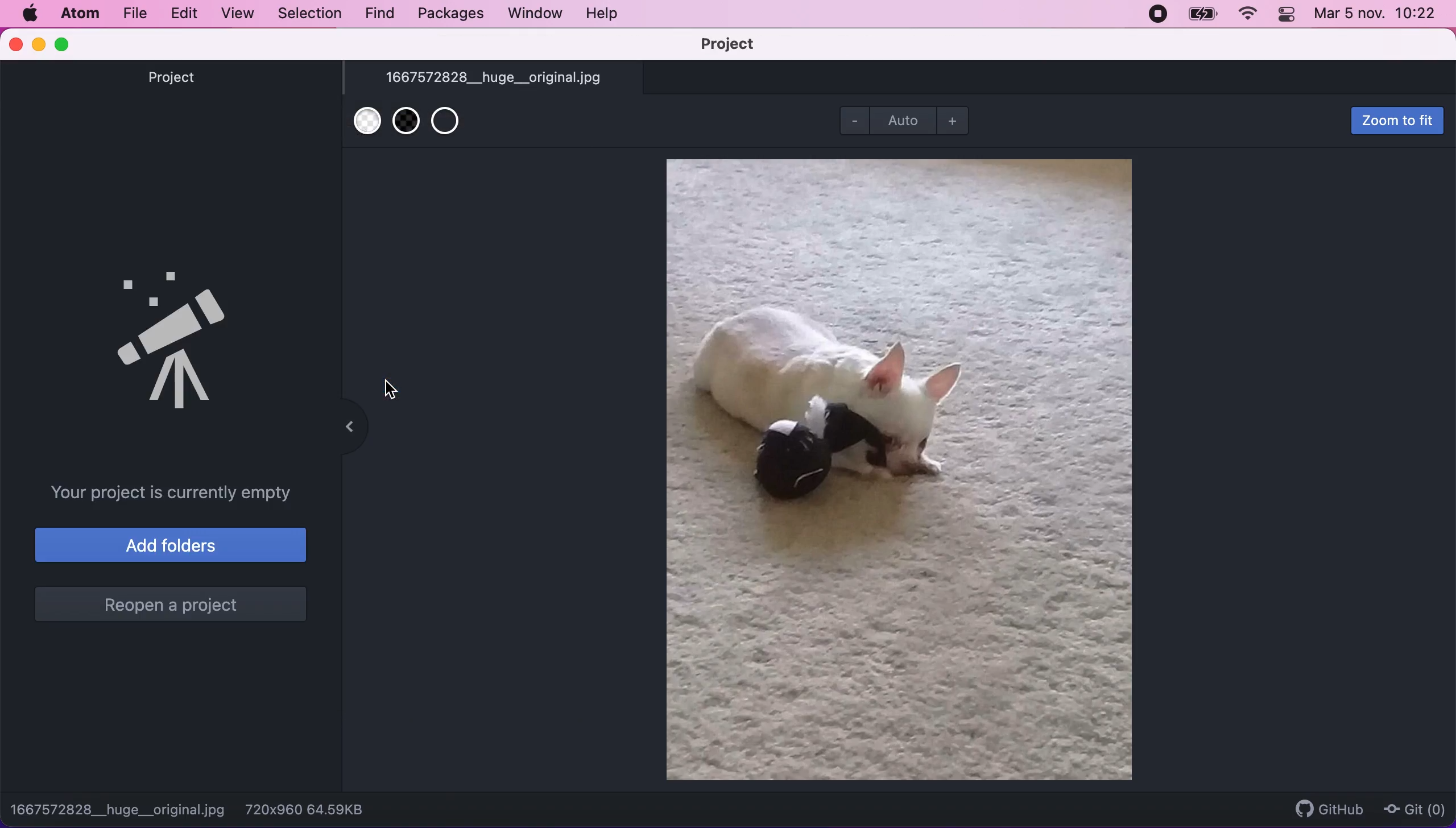 This screenshot has height=828, width=1456. What do you see at coordinates (1285, 15) in the screenshot?
I see `panel control` at bounding box center [1285, 15].